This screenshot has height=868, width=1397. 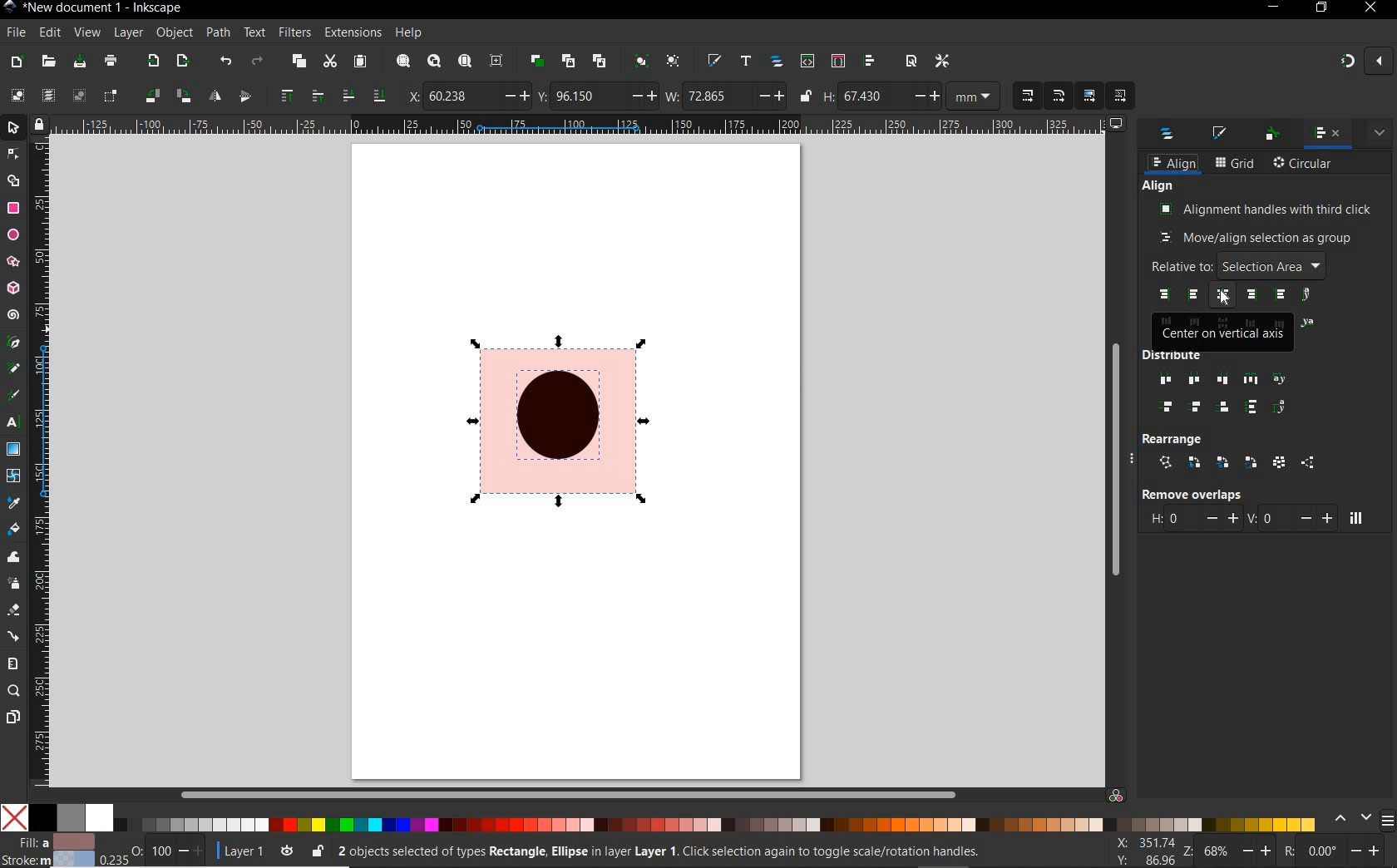 I want to click on open xml editor, so click(x=807, y=62).